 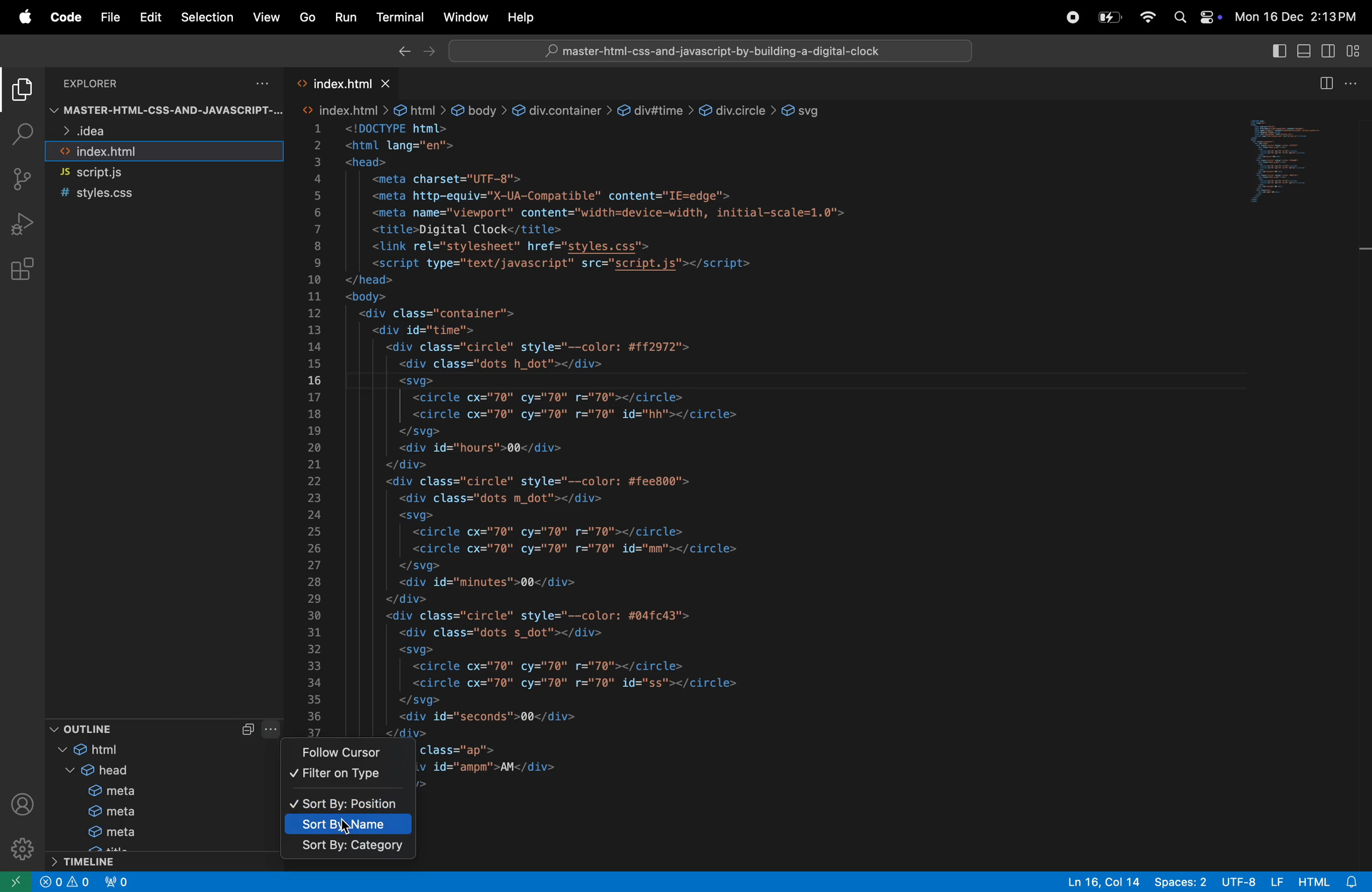 What do you see at coordinates (21, 91) in the screenshot?
I see `explorer` at bounding box center [21, 91].